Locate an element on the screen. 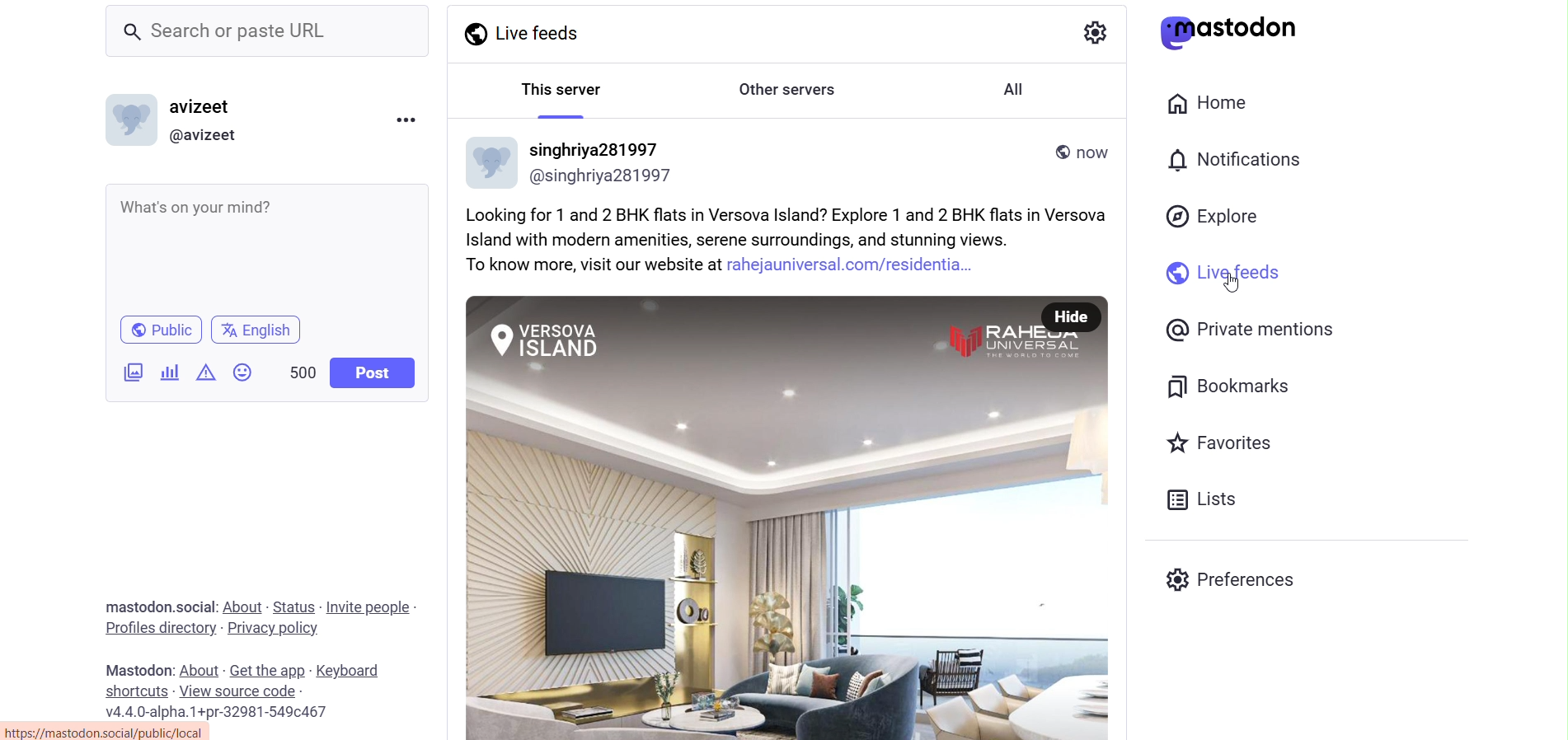 Image resolution: width=1568 pixels, height=740 pixels. short cuts is located at coordinates (133, 691).